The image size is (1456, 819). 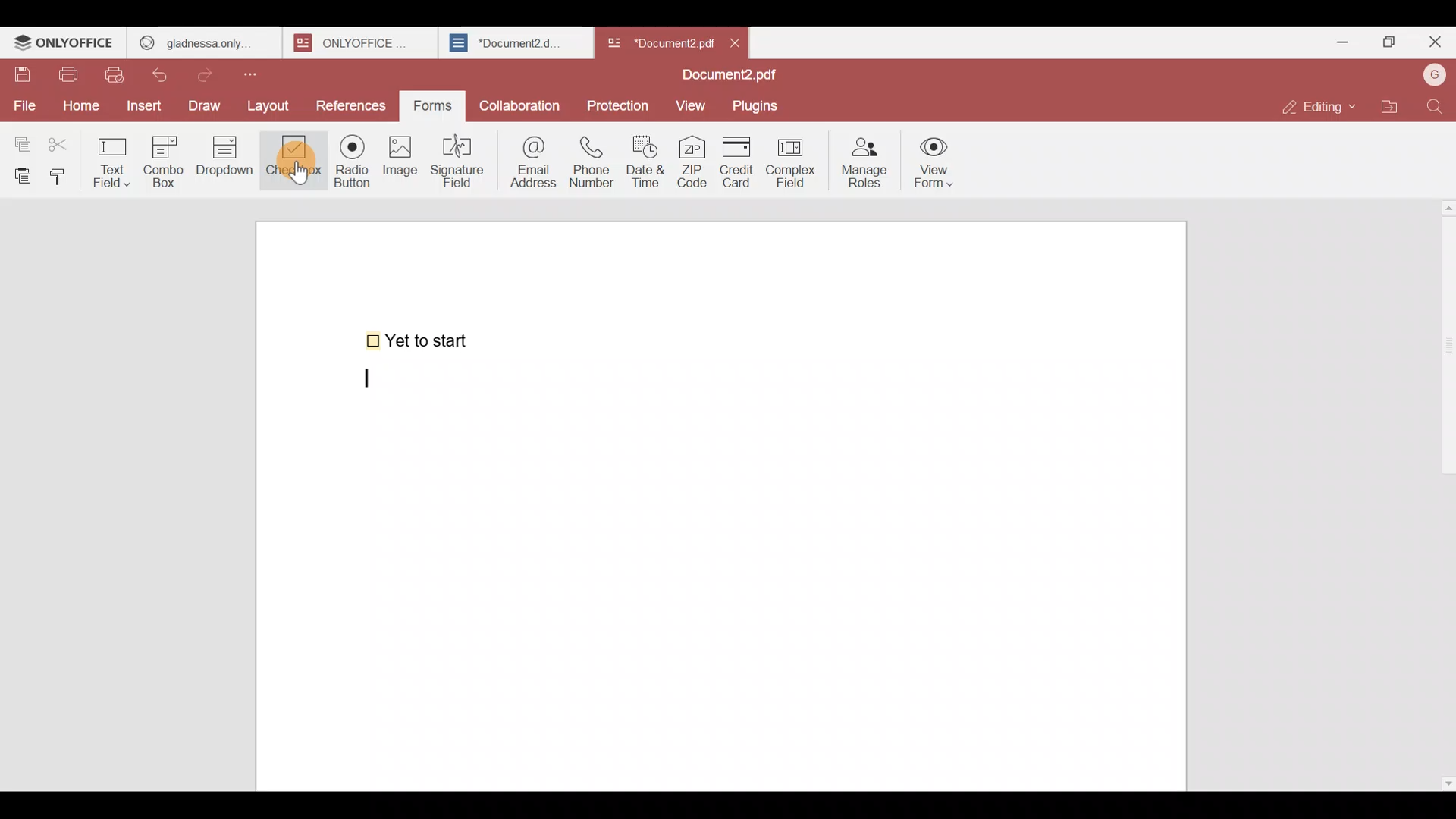 What do you see at coordinates (402, 167) in the screenshot?
I see `Image` at bounding box center [402, 167].